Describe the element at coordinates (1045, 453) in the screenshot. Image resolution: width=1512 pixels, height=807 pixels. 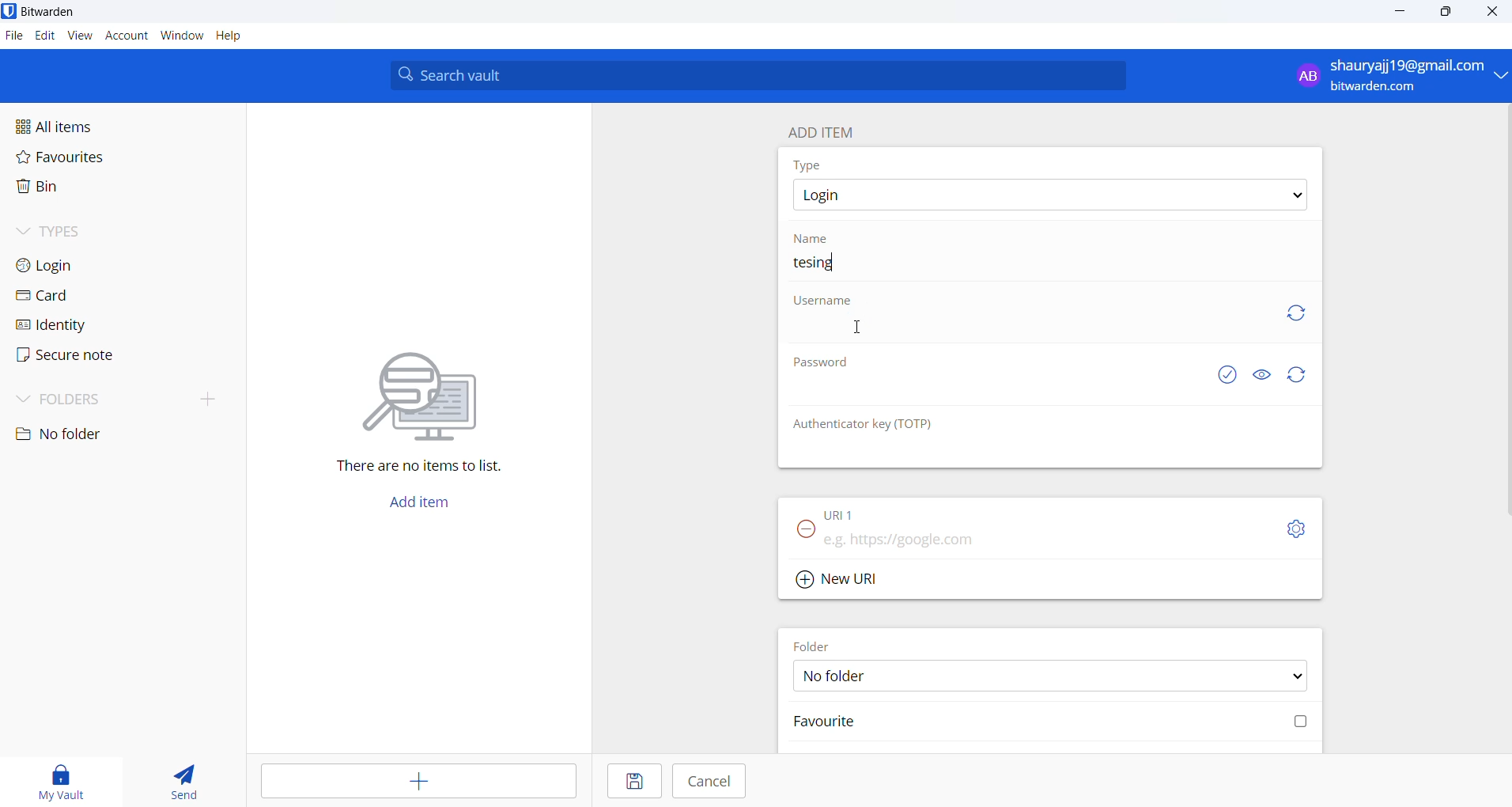
I see `otp input box` at that location.